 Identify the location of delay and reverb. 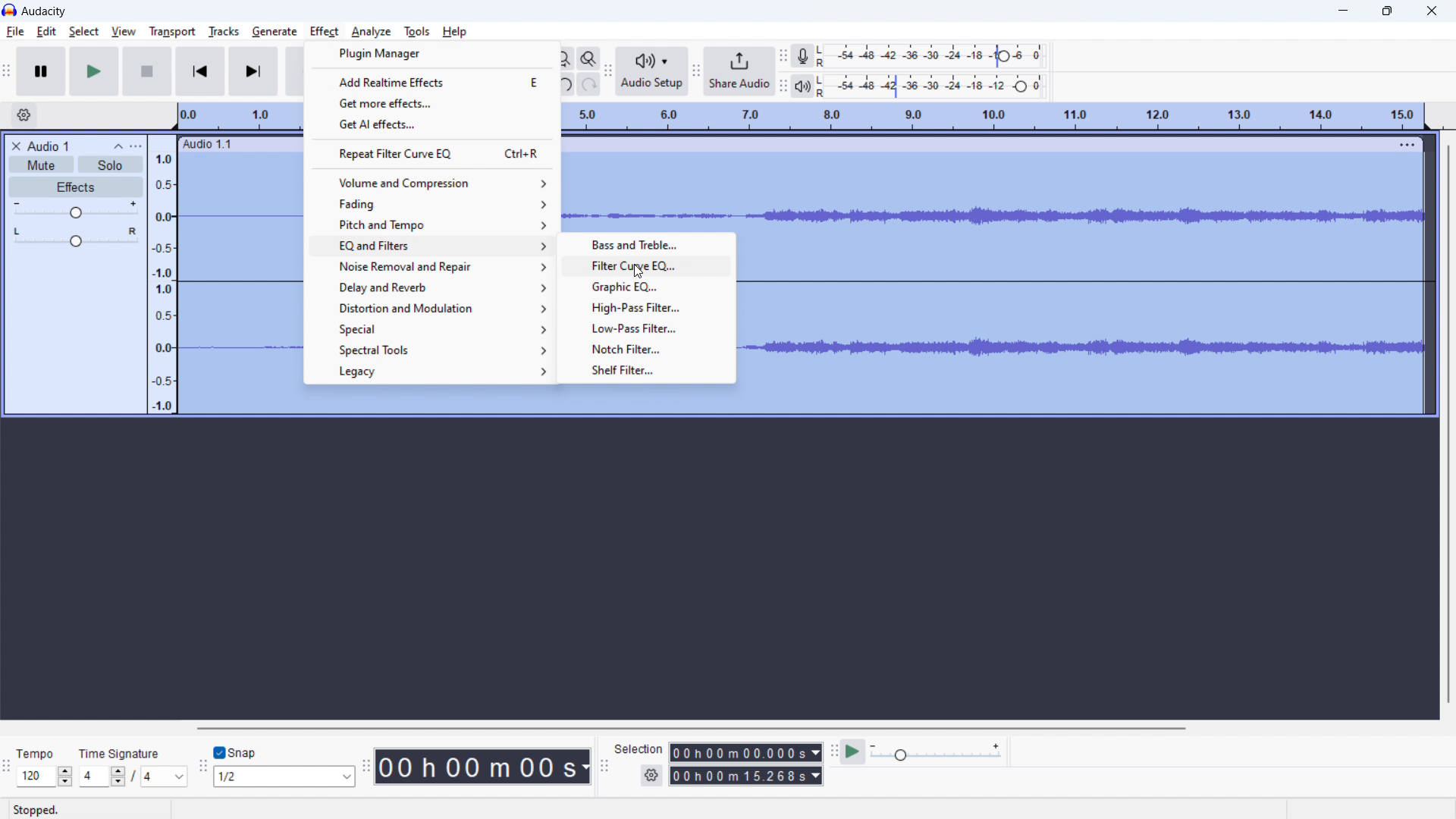
(430, 287).